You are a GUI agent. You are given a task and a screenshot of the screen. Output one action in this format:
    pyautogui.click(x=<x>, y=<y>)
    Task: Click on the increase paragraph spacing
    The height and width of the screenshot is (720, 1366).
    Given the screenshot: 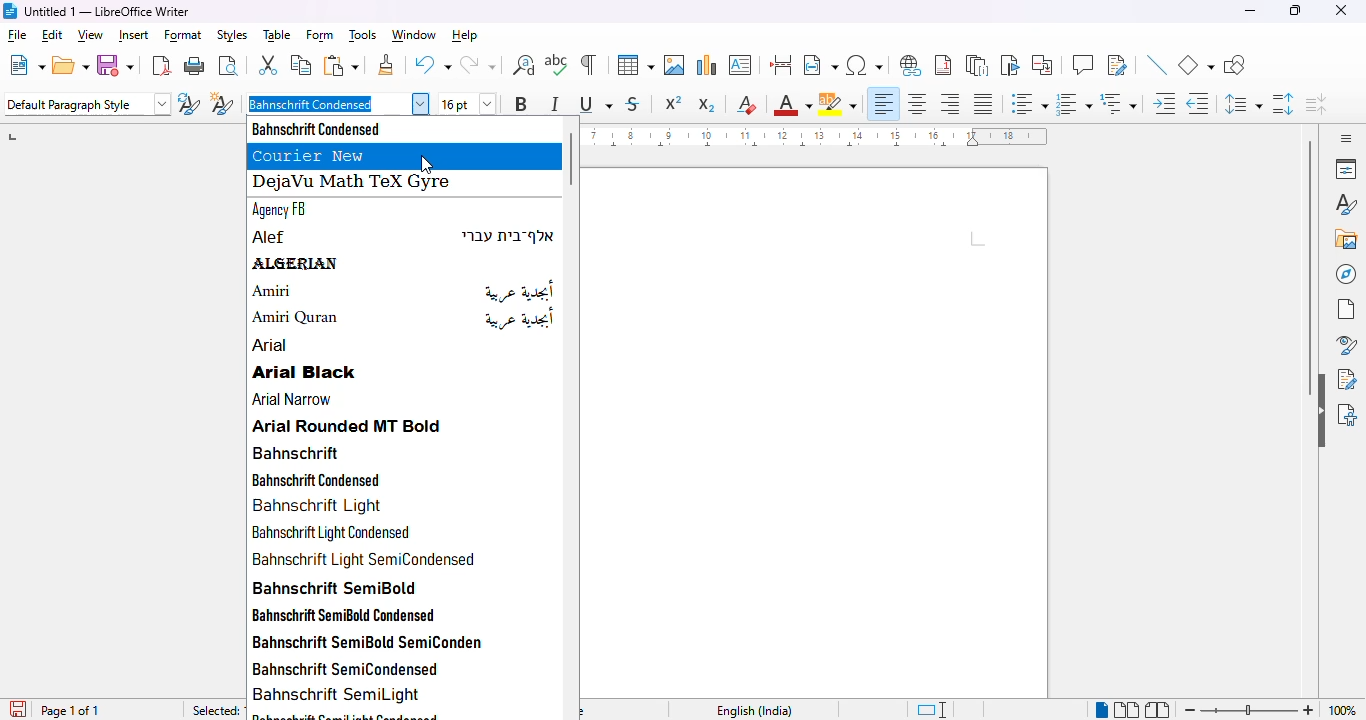 What is the action you would take?
    pyautogui.click(x=1282, y=104)
    